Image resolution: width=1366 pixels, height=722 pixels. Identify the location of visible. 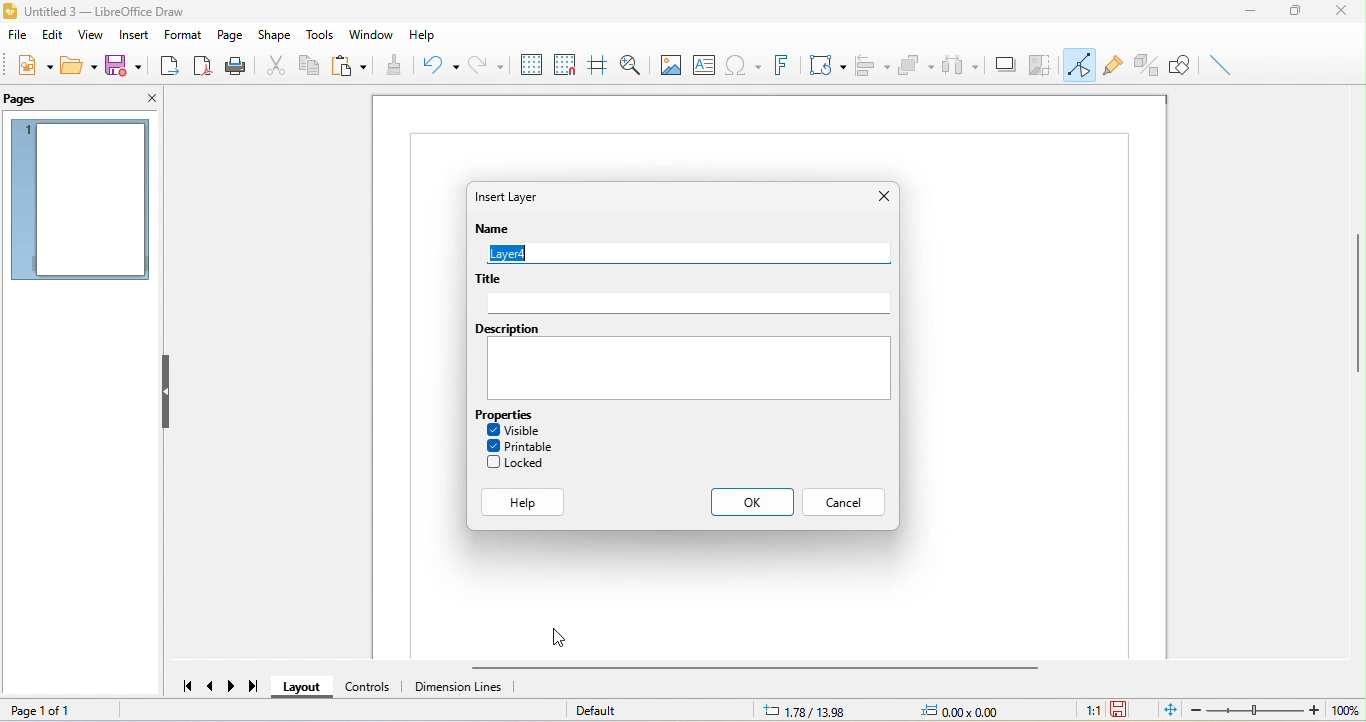
(517, 429).